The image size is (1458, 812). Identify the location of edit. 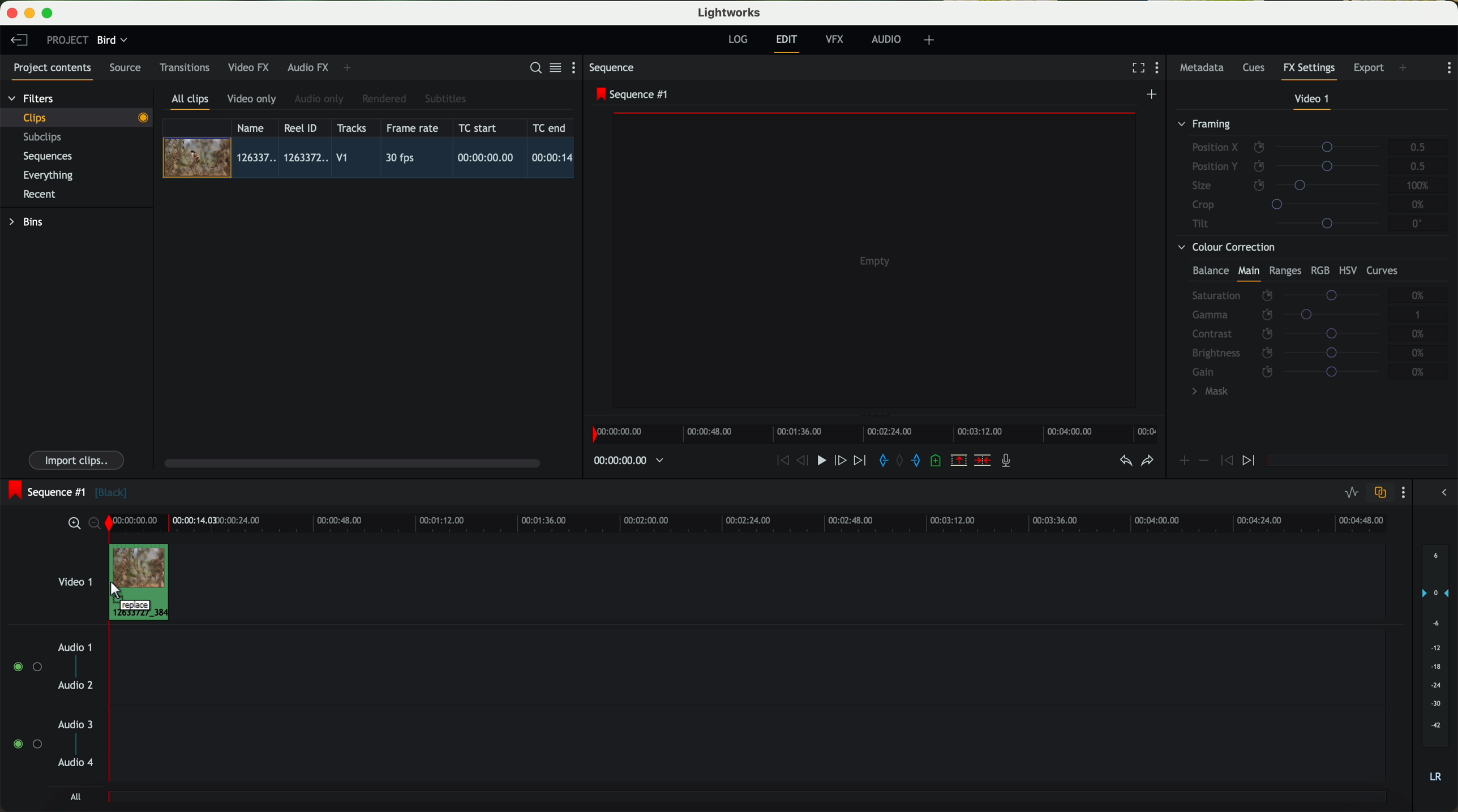
(788, 42).